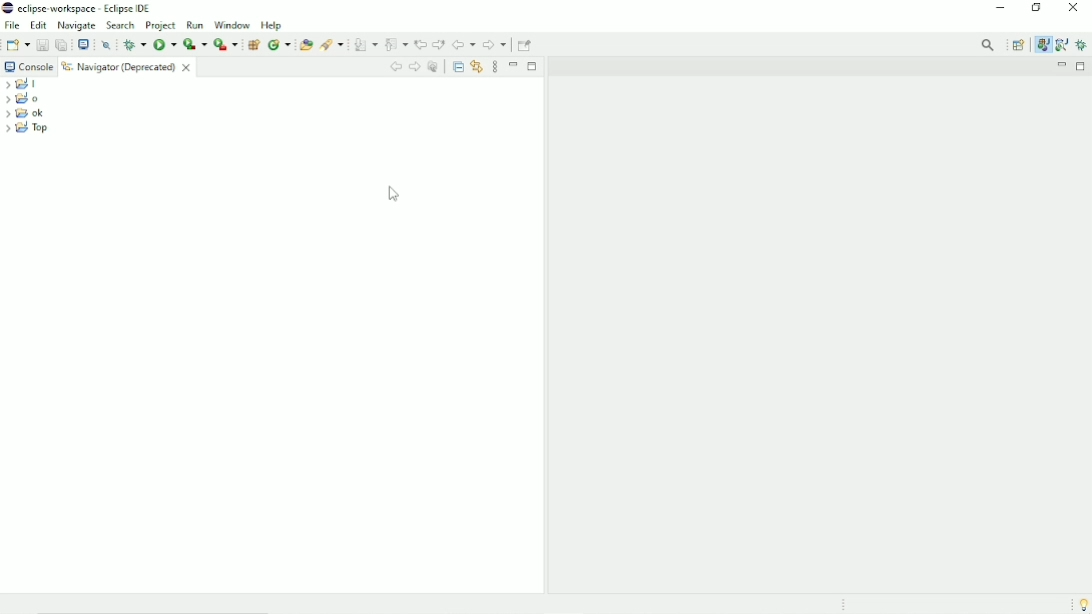 The height and width of the screenshot is (614, 1092). Describe the element at coordinates (1043, 45) in the screenshot. I see `Java` at that location.